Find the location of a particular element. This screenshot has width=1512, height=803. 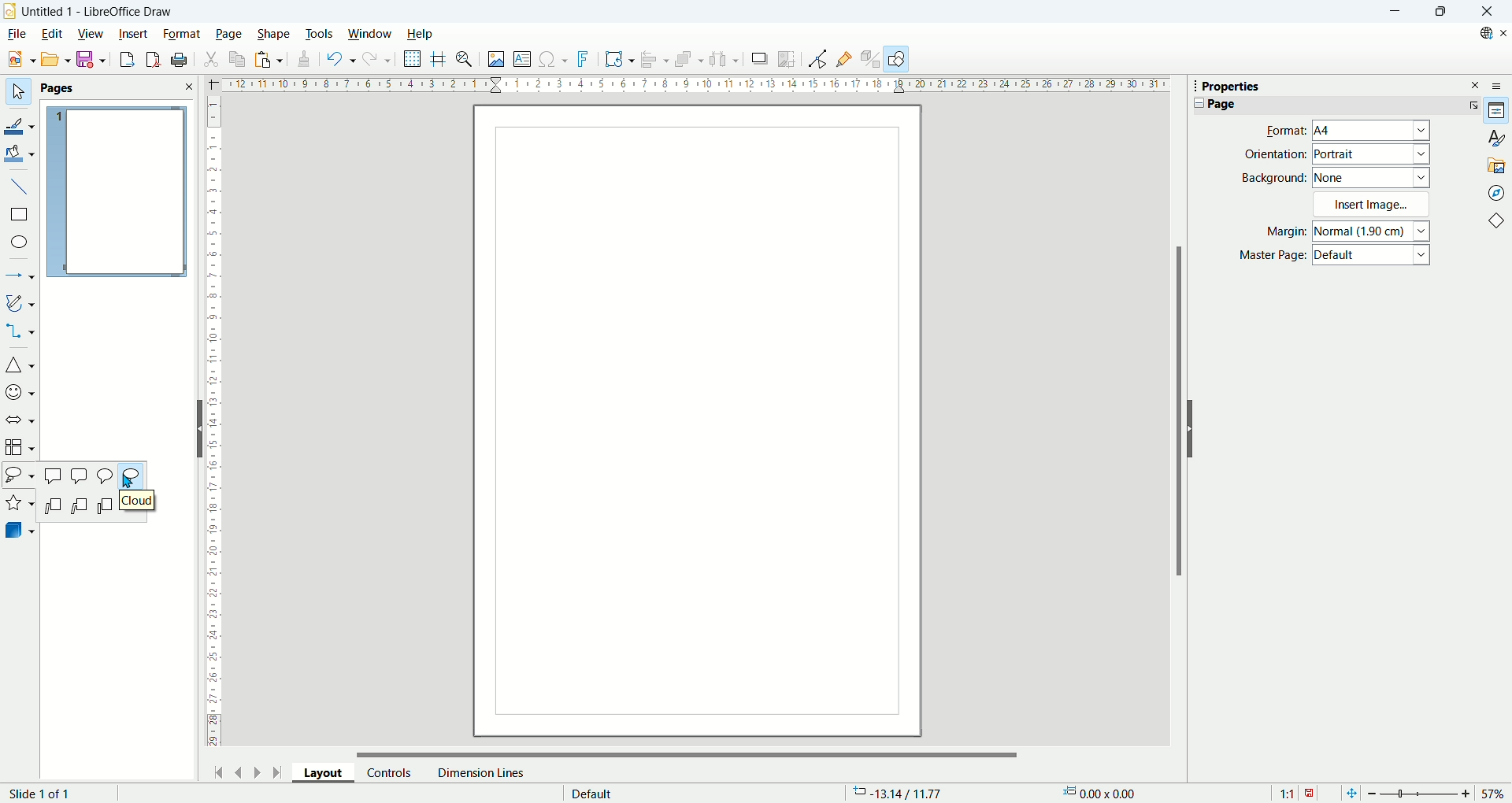

gluepoint function is located at coordinates (845, 58).